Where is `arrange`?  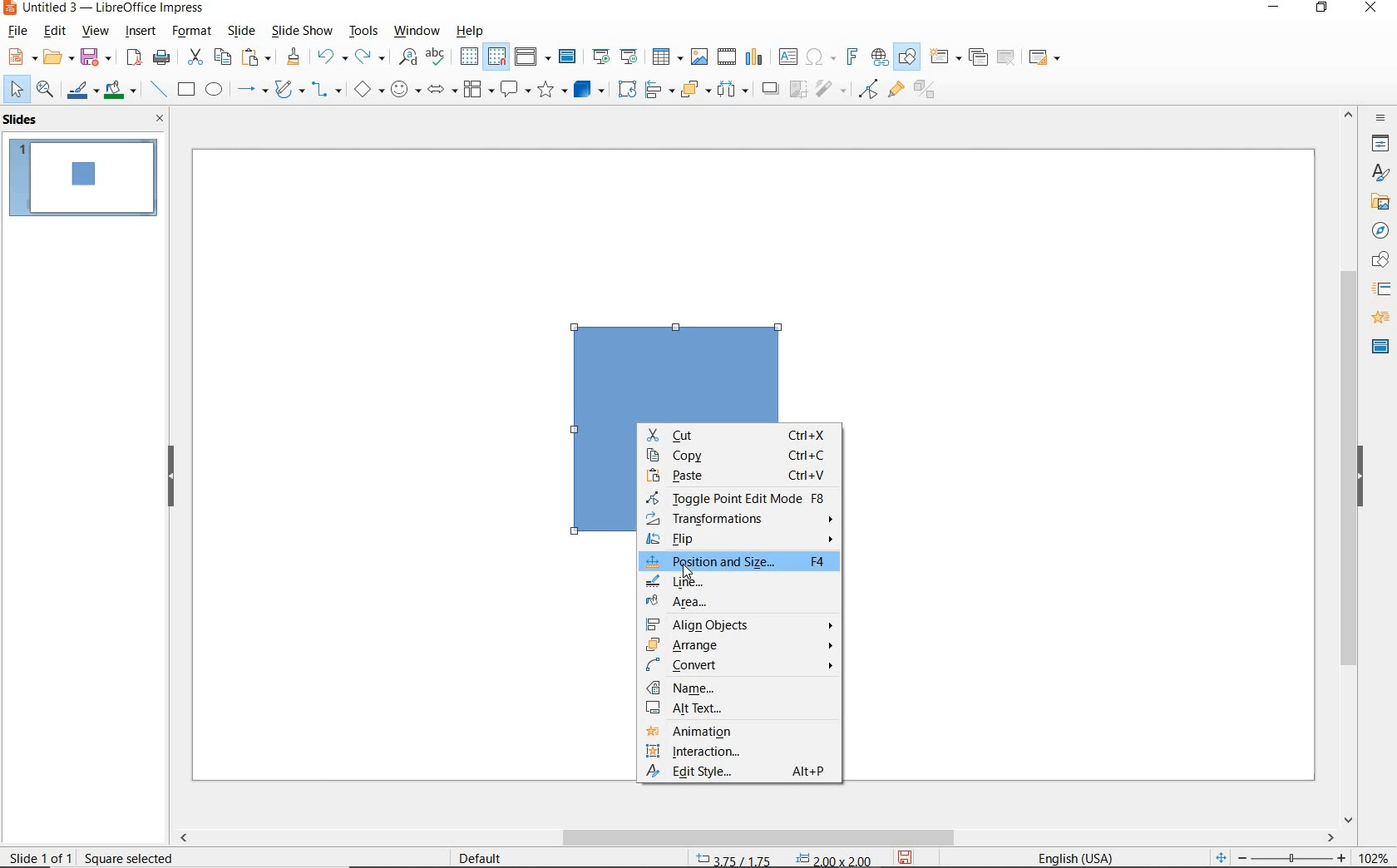 arrange is located at coordinates (695, 91).